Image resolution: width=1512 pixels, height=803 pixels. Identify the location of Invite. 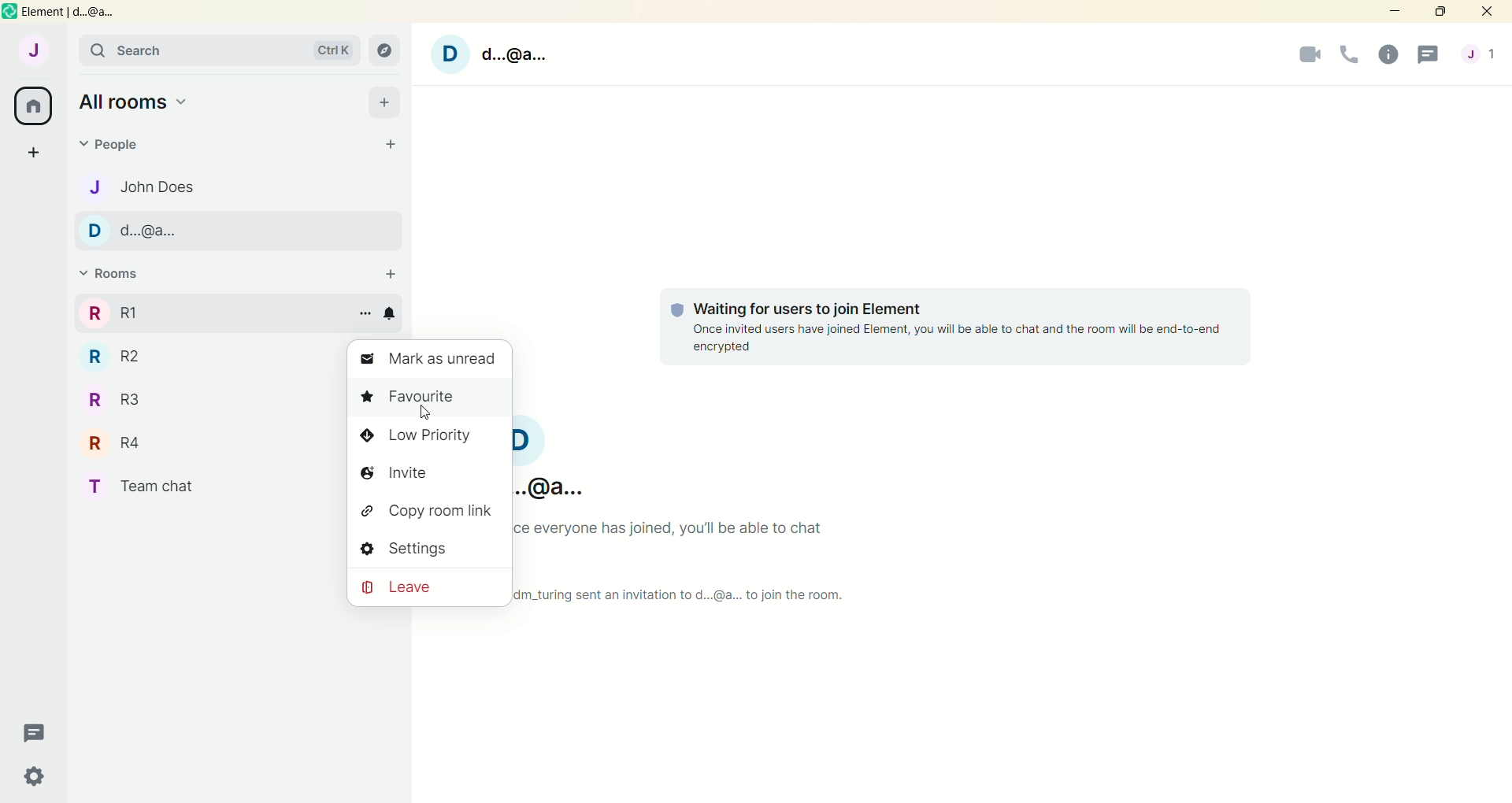
(414, 470).